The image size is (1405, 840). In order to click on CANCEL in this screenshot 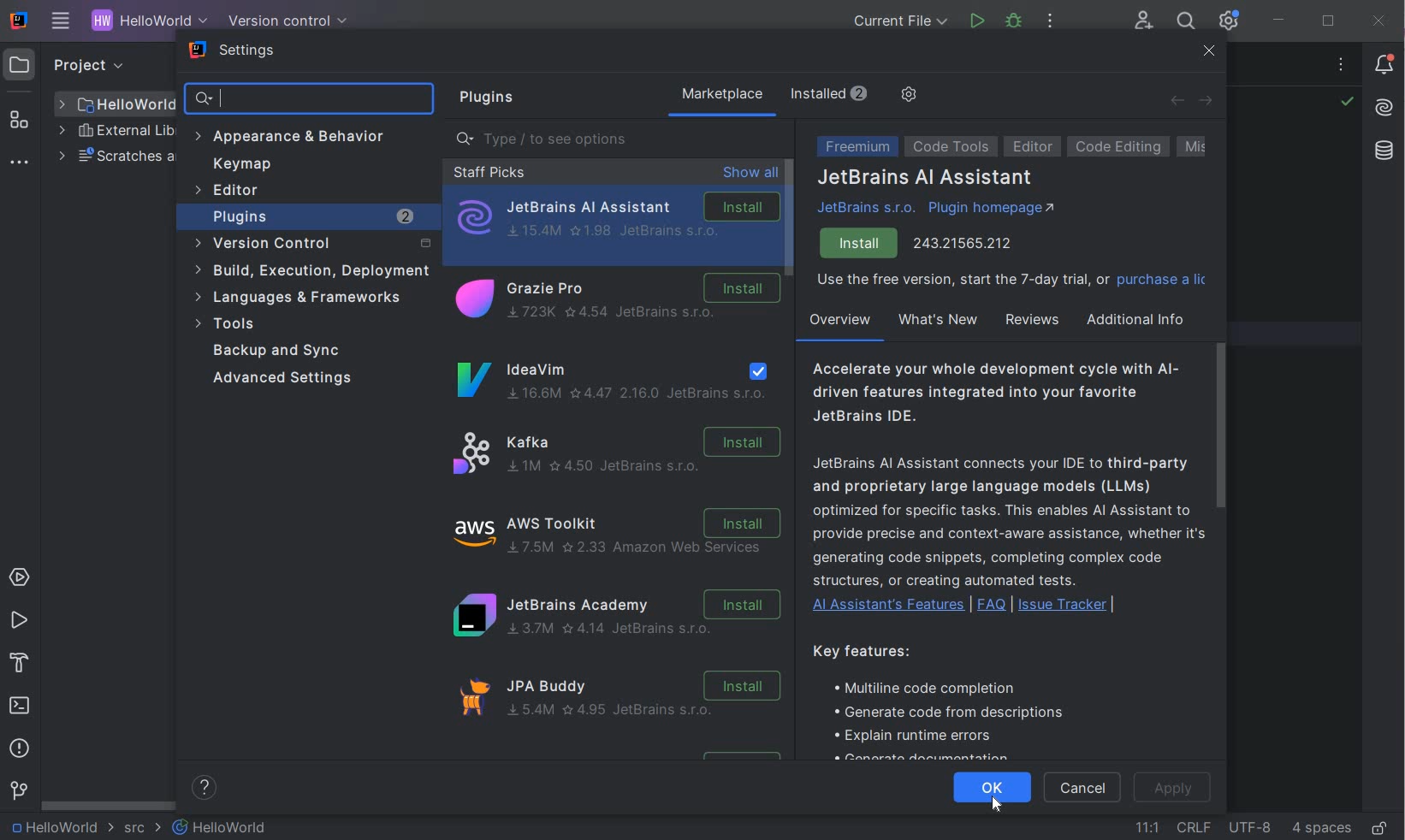, I will do `click(1085, 789)`.